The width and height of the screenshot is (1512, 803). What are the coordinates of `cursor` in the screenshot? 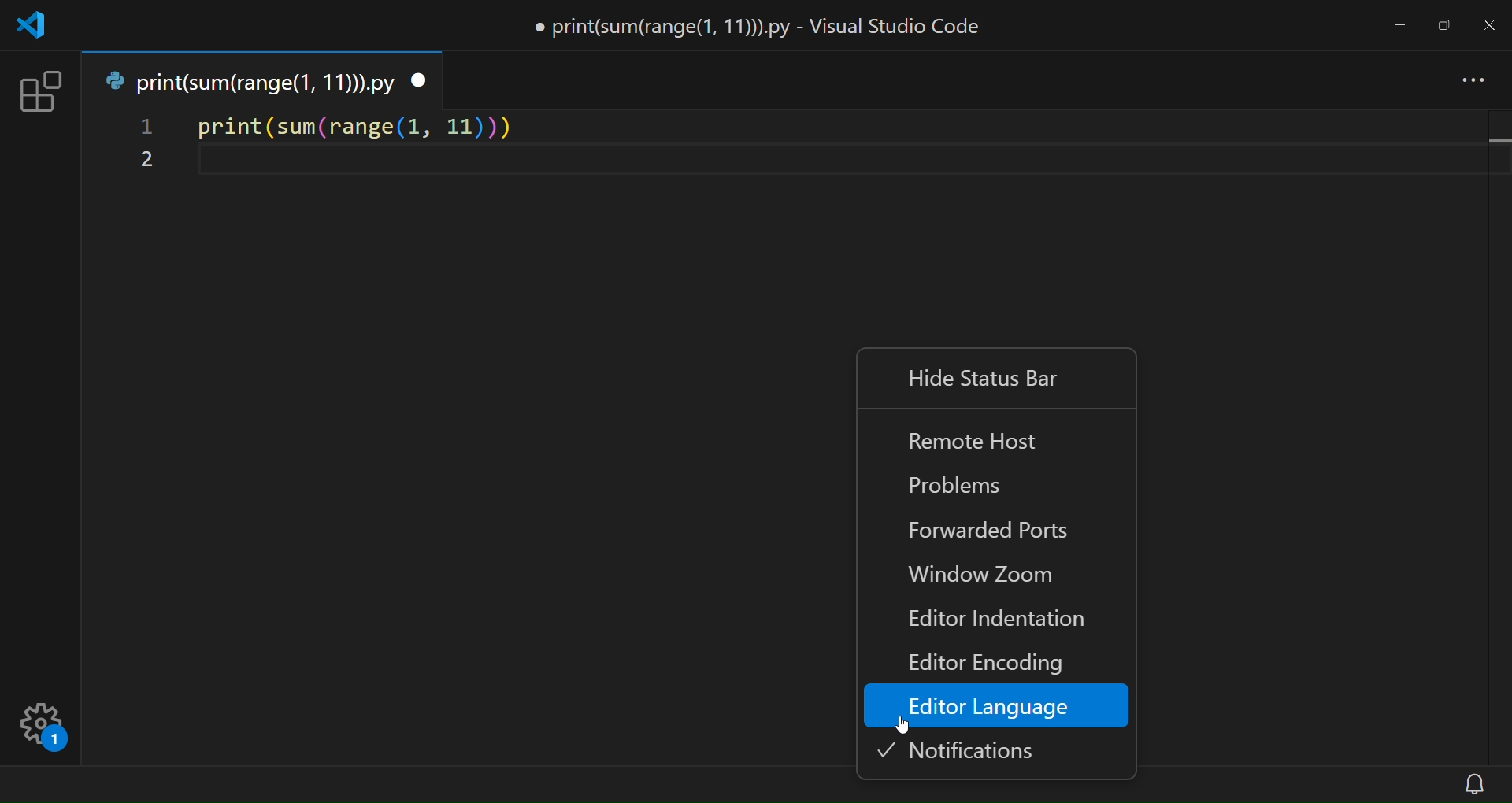 It's located at (909, 729).